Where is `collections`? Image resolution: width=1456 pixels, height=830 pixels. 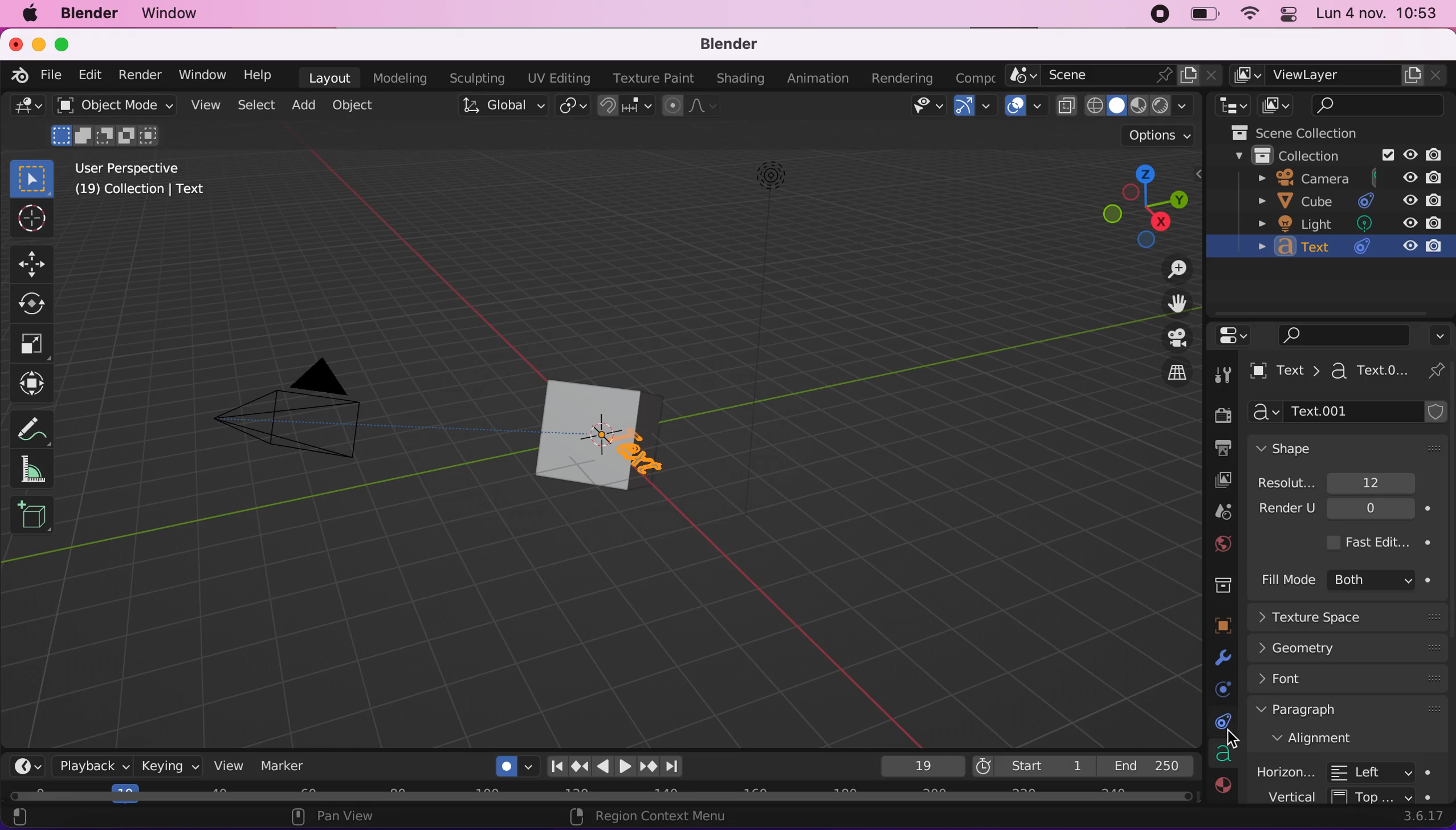
collections is located at coordinates (1220, 587).